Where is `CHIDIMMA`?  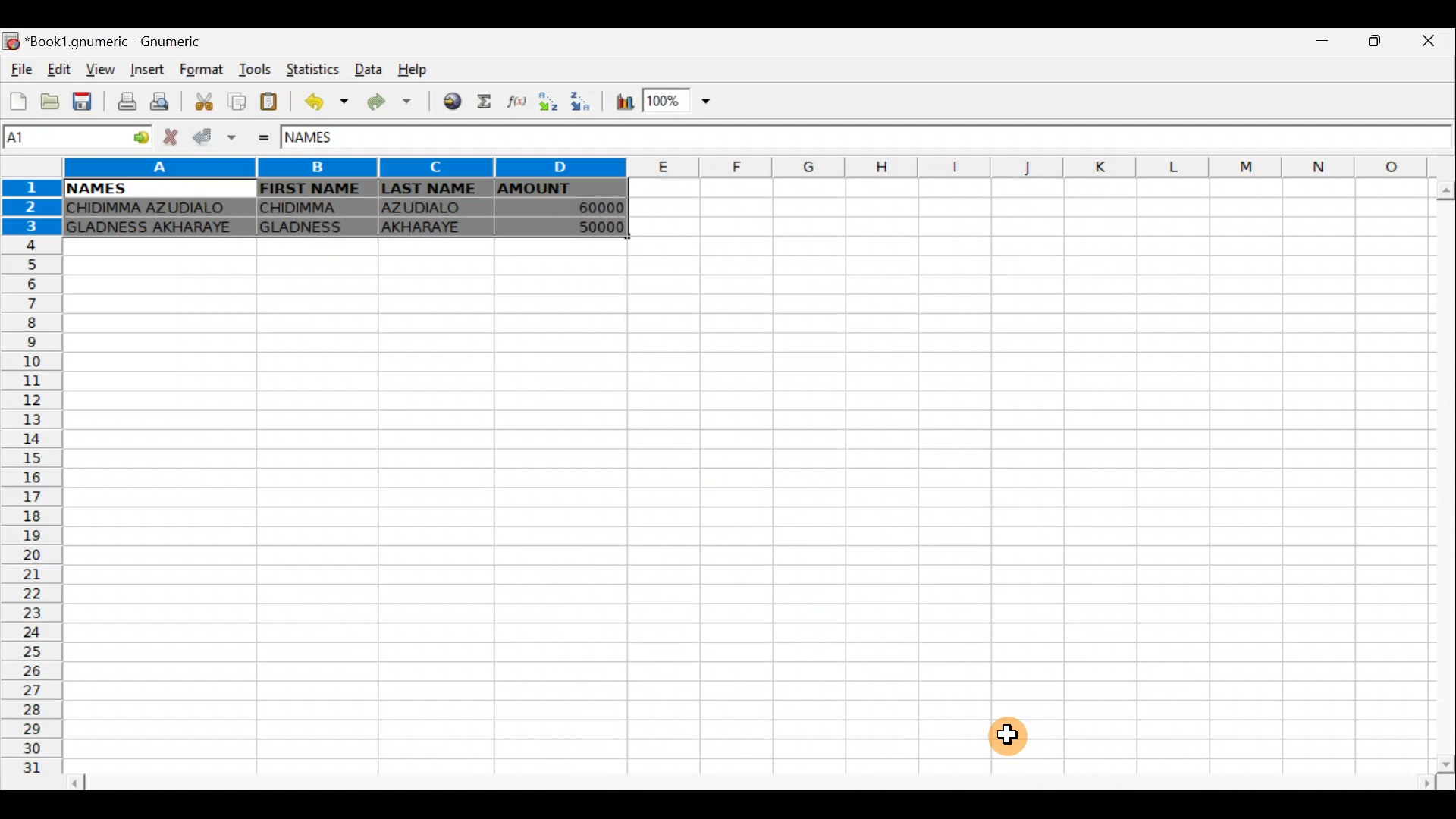 CHIDIMMA is located at coordinates (313, 227).